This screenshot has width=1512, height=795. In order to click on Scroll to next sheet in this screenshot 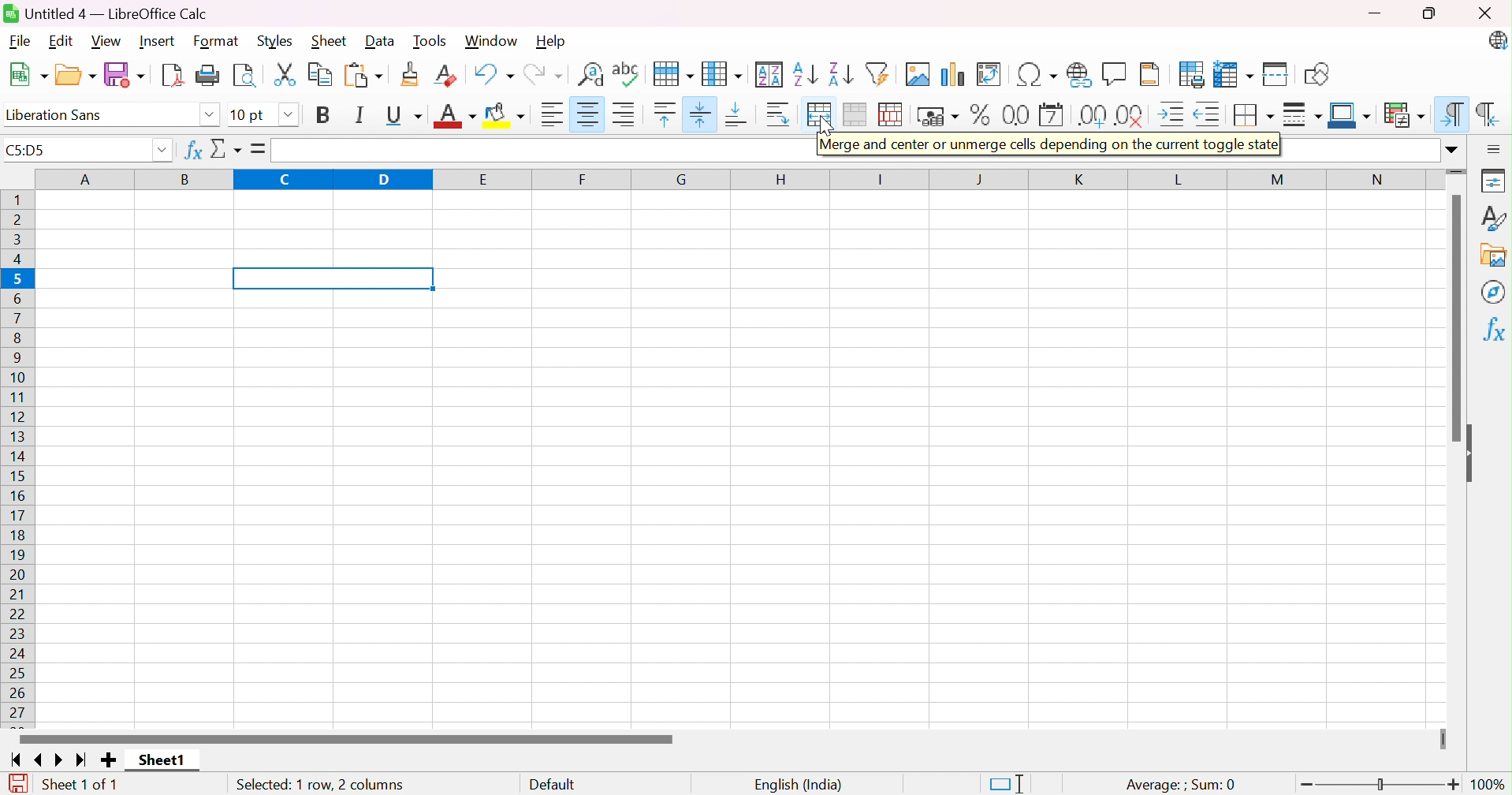, I will do `click(63, 762)`.